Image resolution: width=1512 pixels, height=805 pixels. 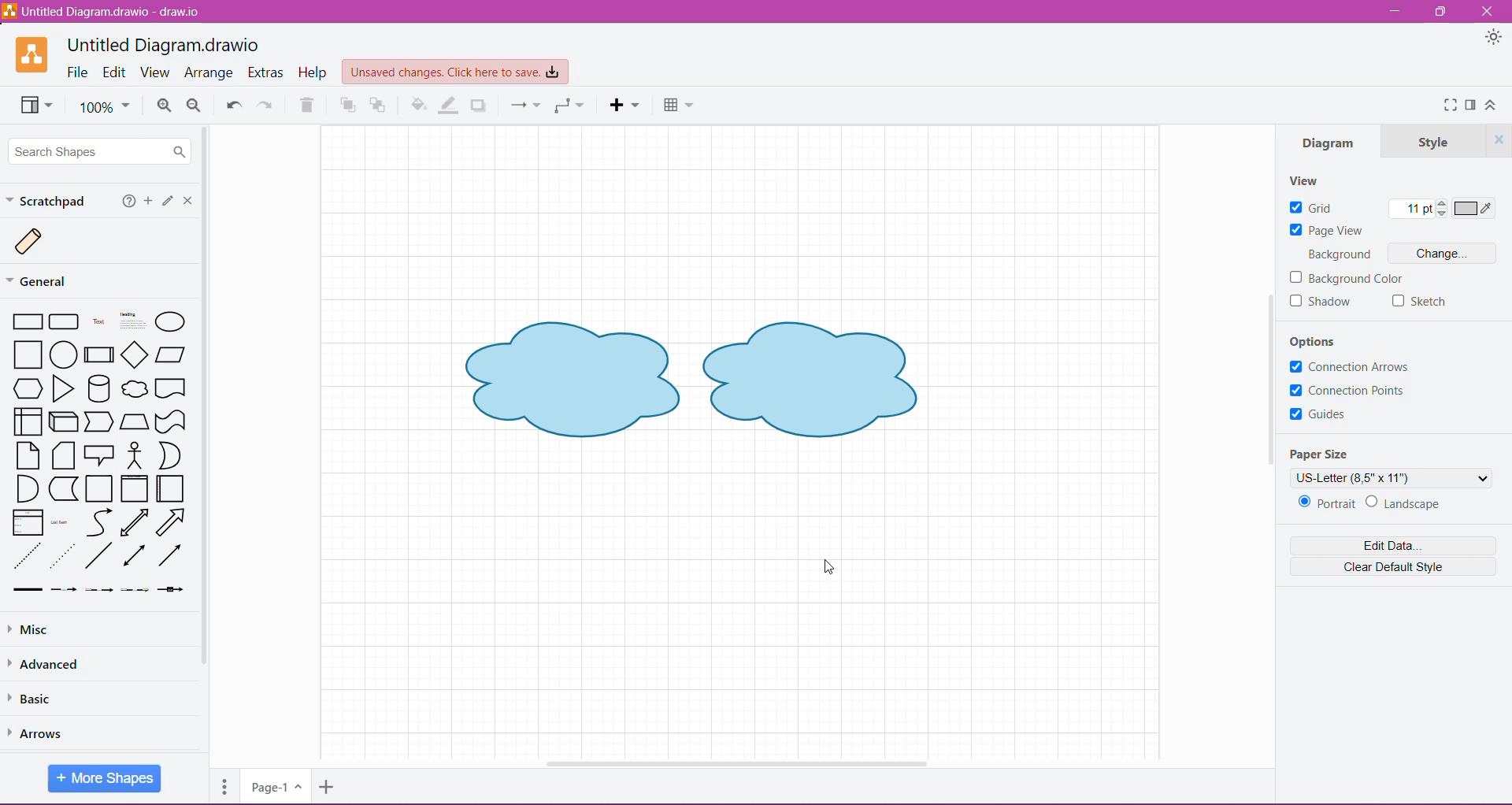 I want to click on Add, so click(x=149, y=201).